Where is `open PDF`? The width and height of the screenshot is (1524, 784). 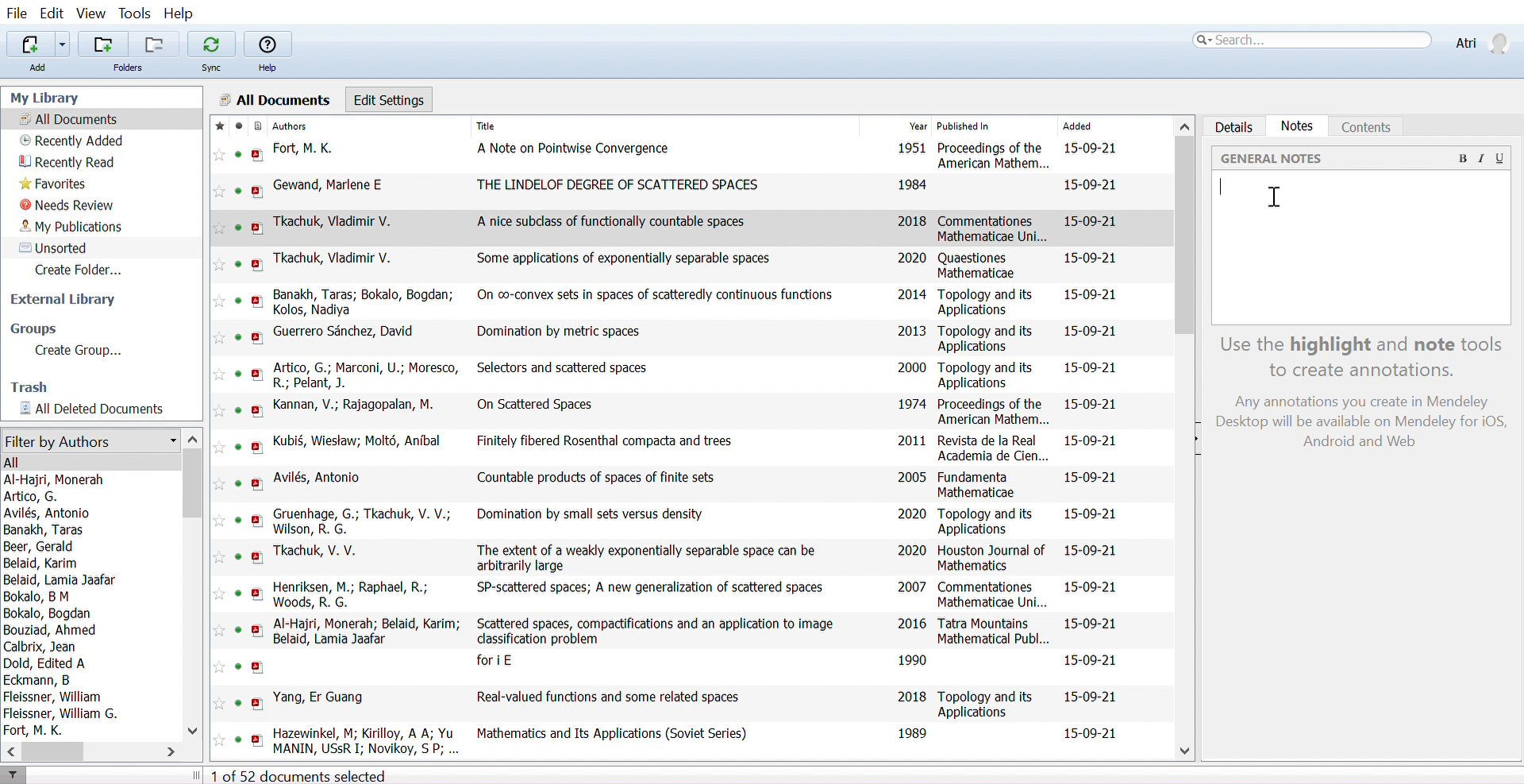 open PDF is located at coordinates (258, 631).